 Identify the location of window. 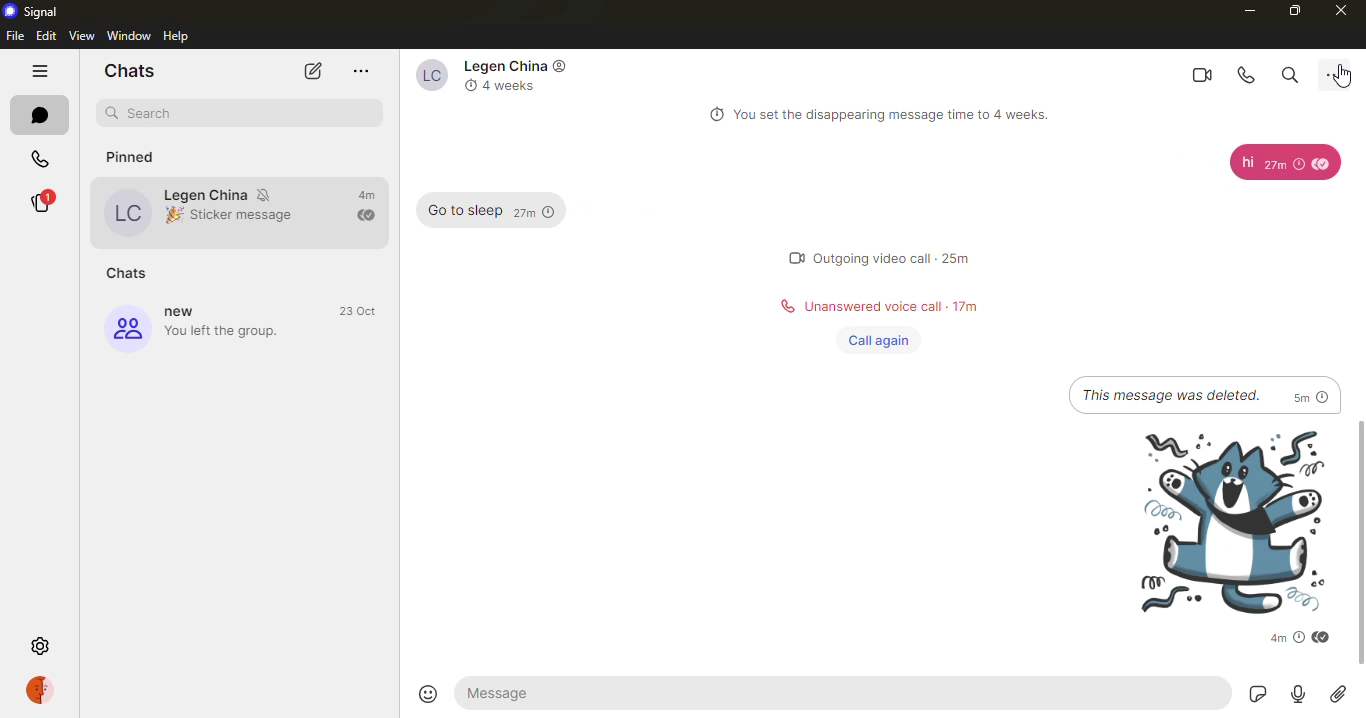
(129, 35).